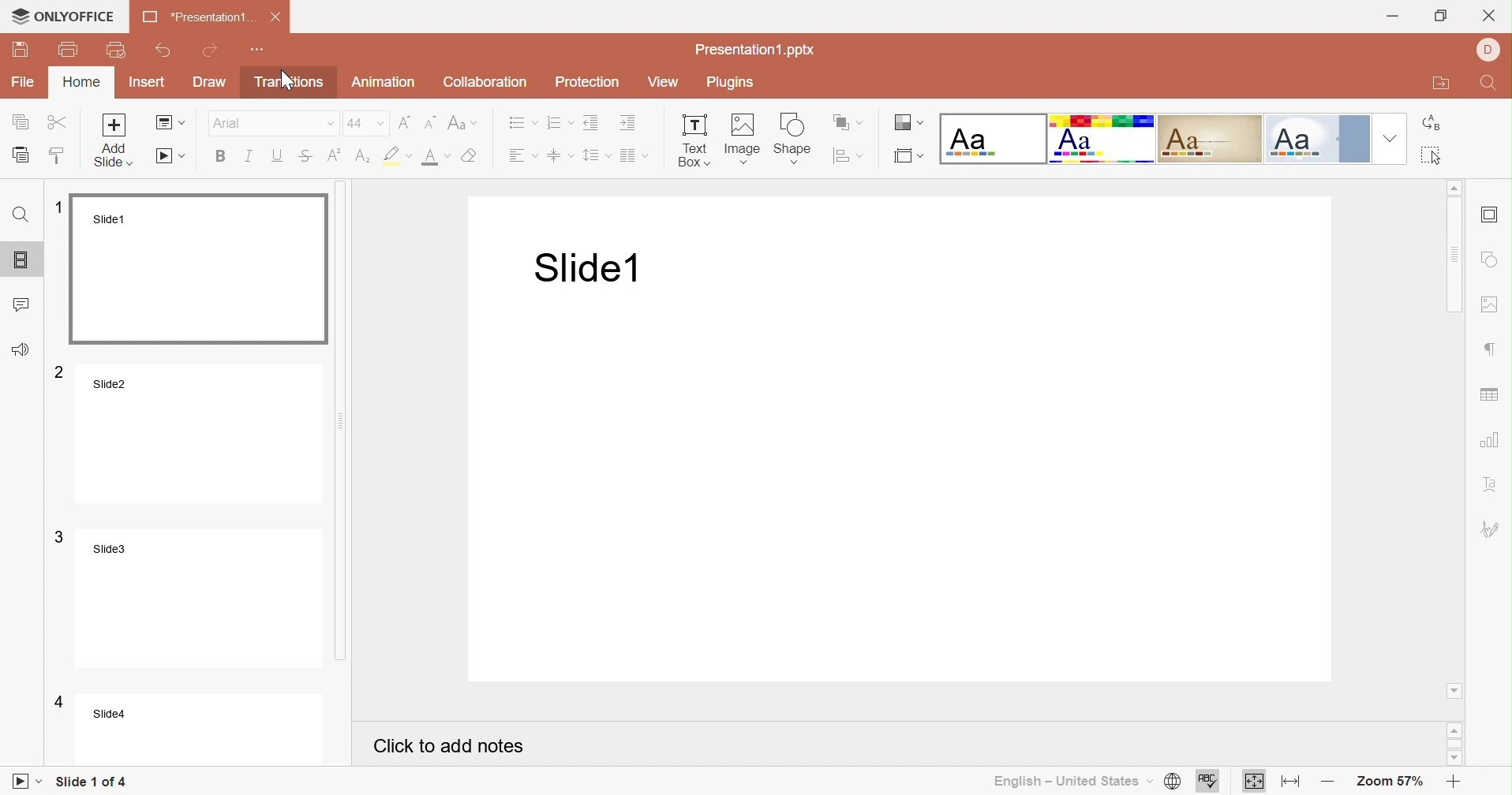 The image size is (1512, 795). I want to click on Add Slide, so click(111, 140).